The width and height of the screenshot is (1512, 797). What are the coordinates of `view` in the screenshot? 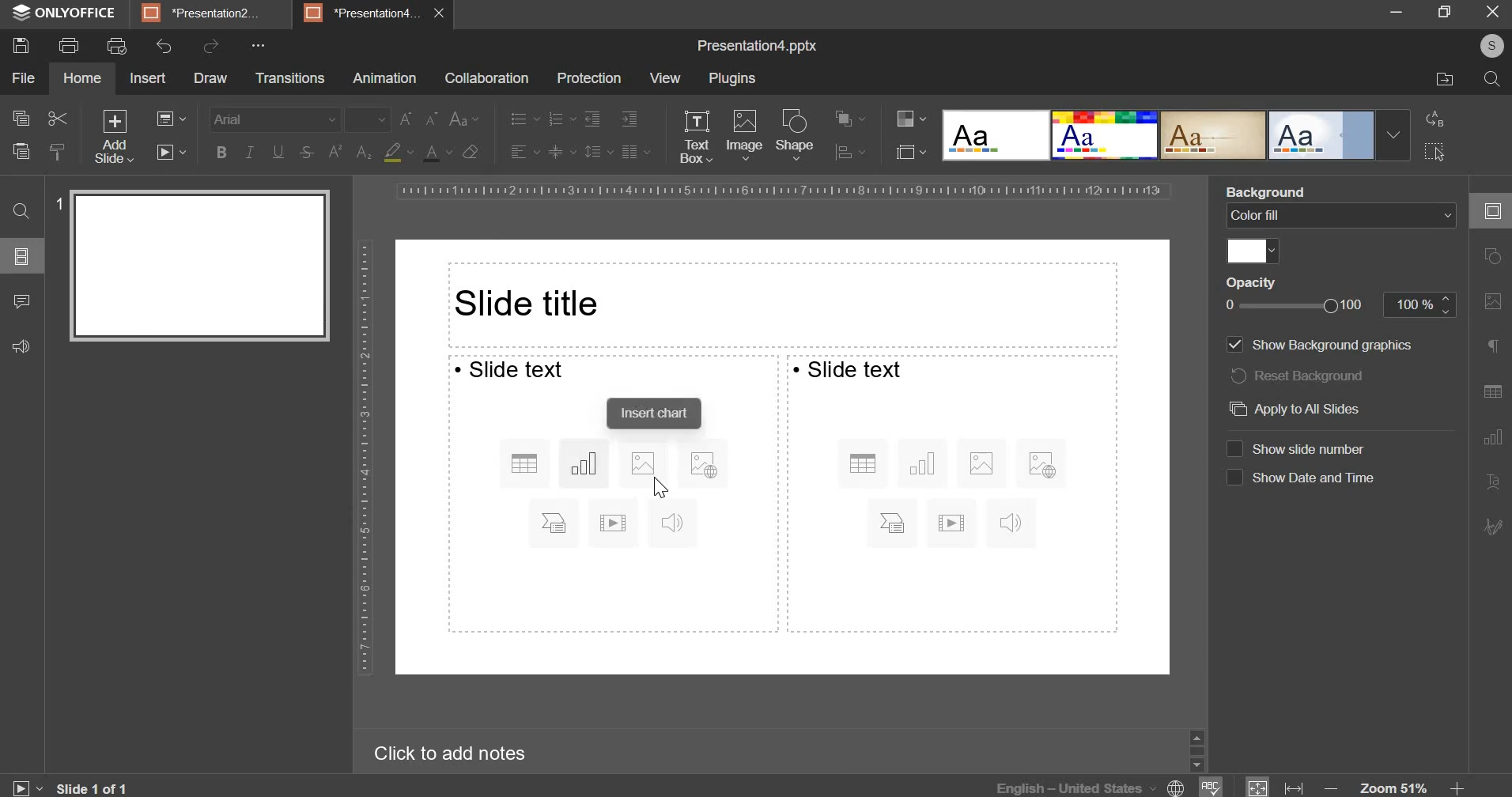 It's located at (667, 77).